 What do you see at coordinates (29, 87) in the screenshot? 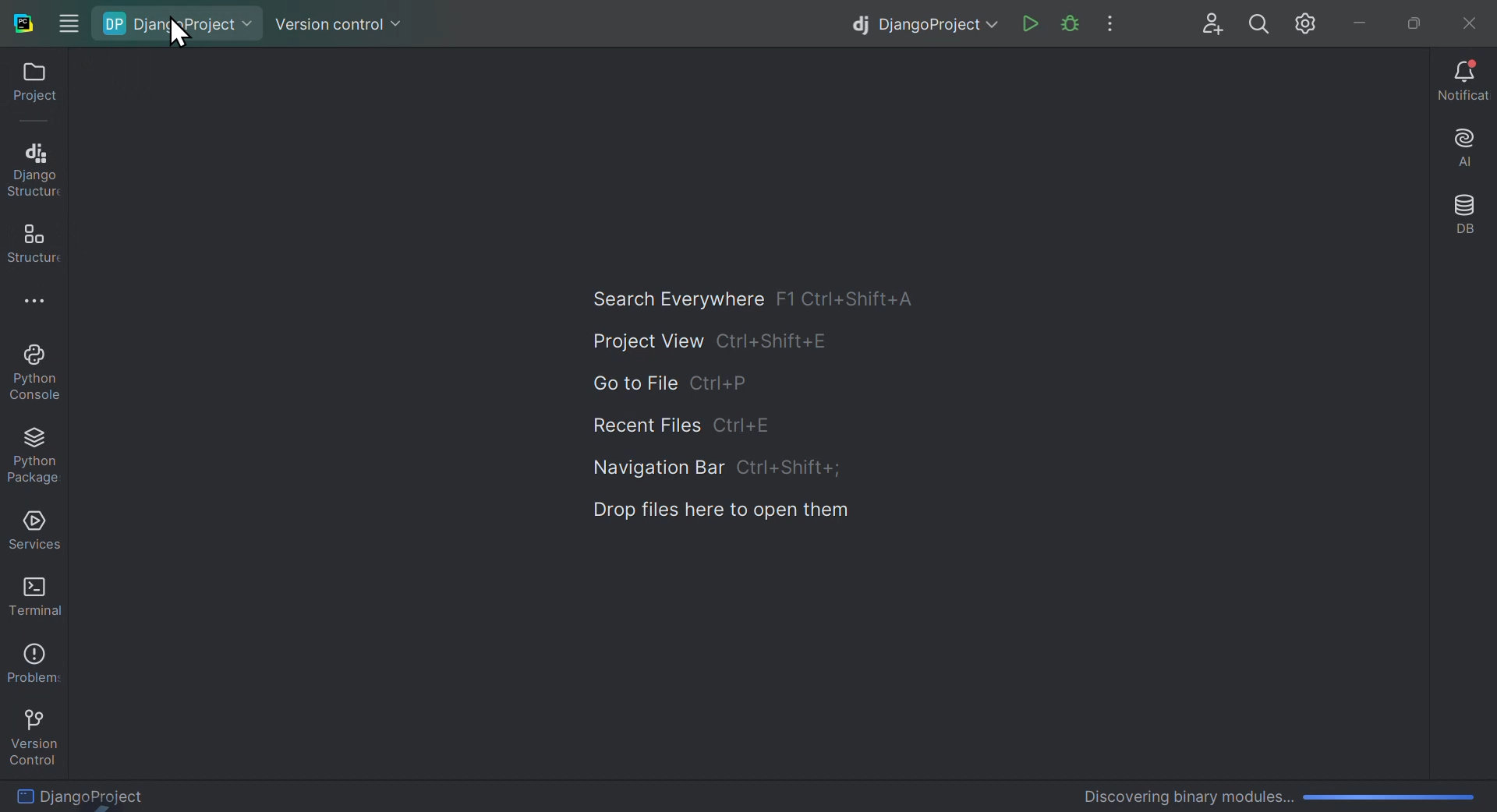
I see `project` at bounding box center [29, 87].